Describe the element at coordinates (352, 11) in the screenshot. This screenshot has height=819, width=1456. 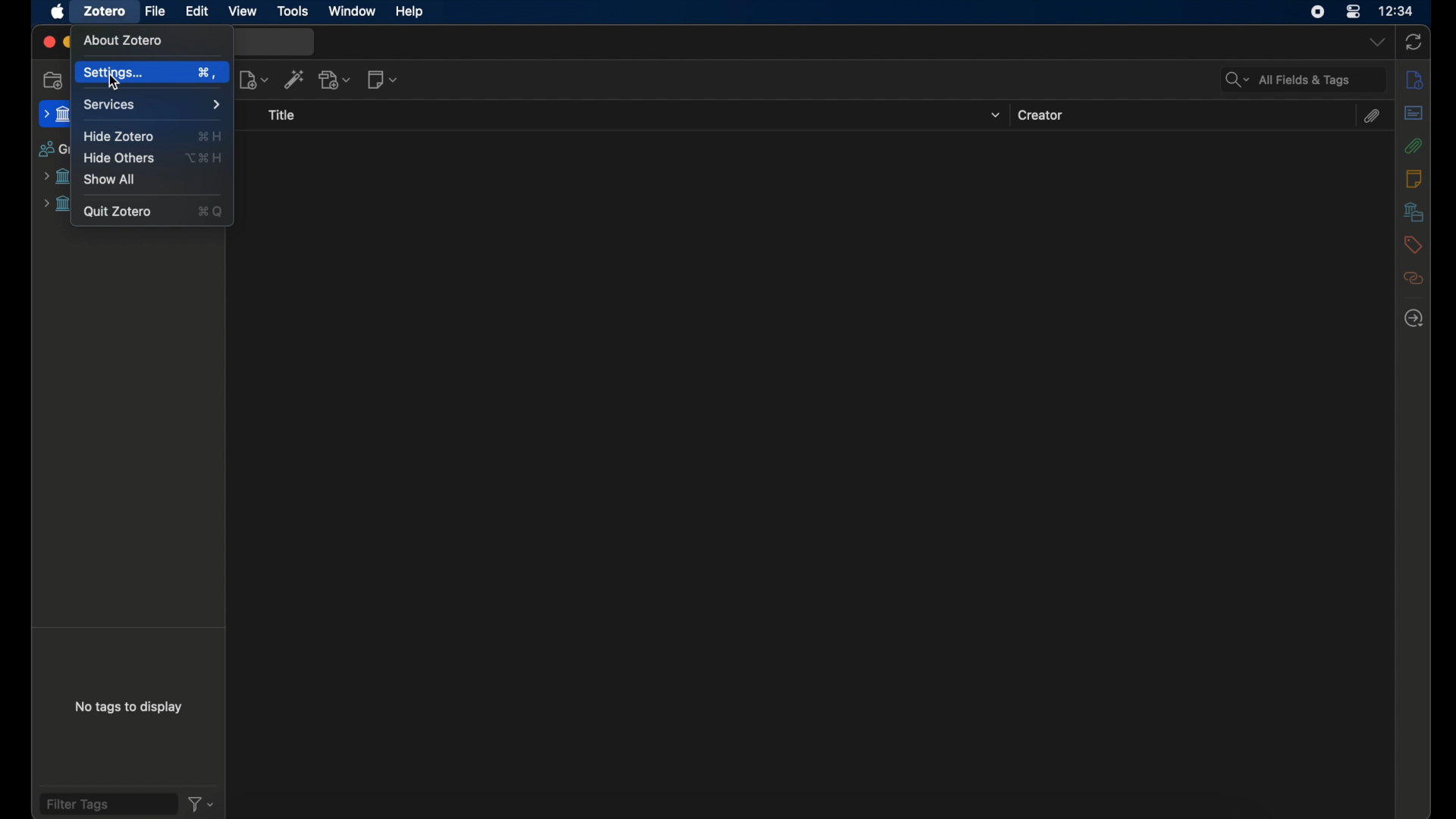
I see `window` at that location.